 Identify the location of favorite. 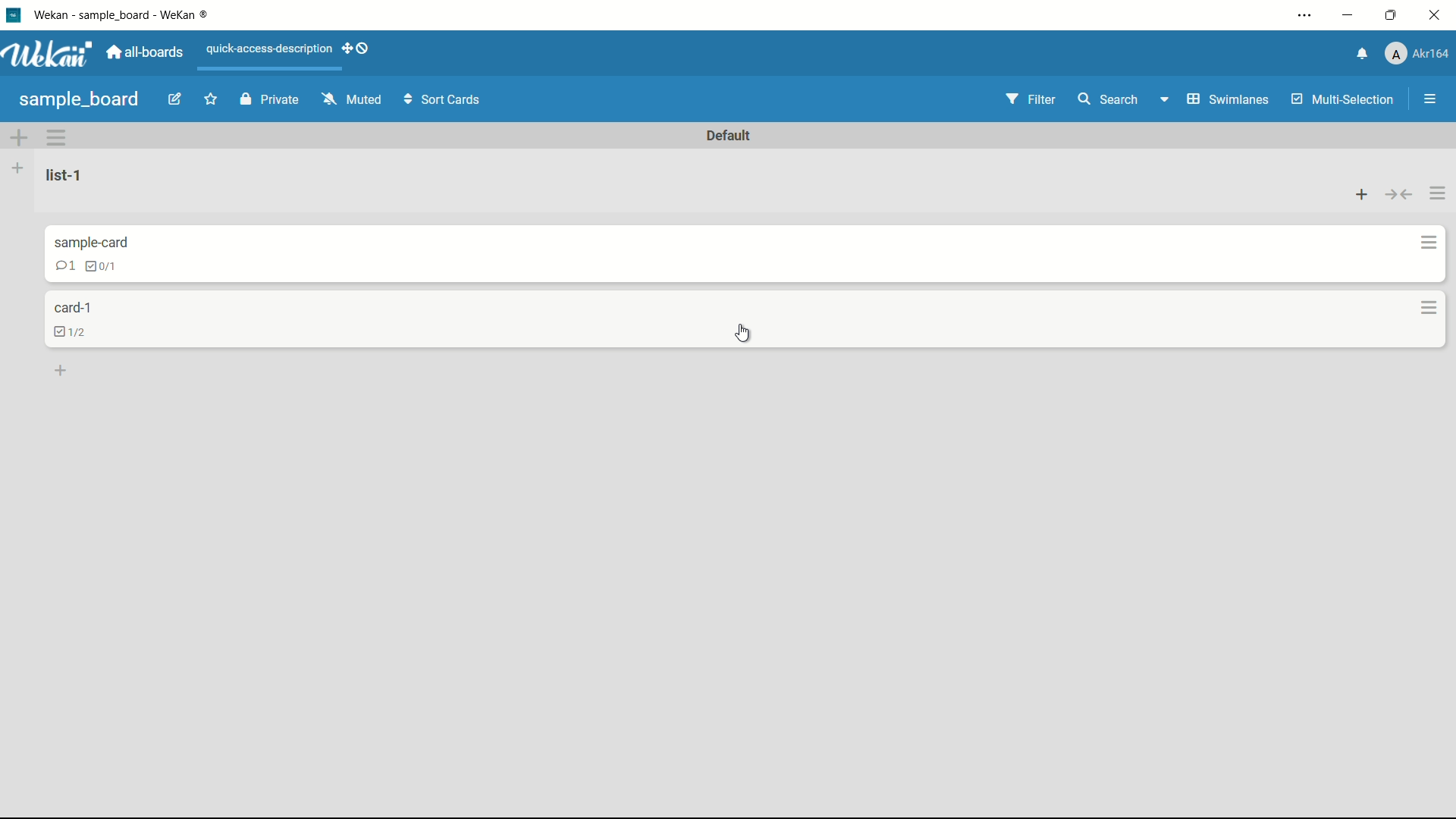
(209, 101).